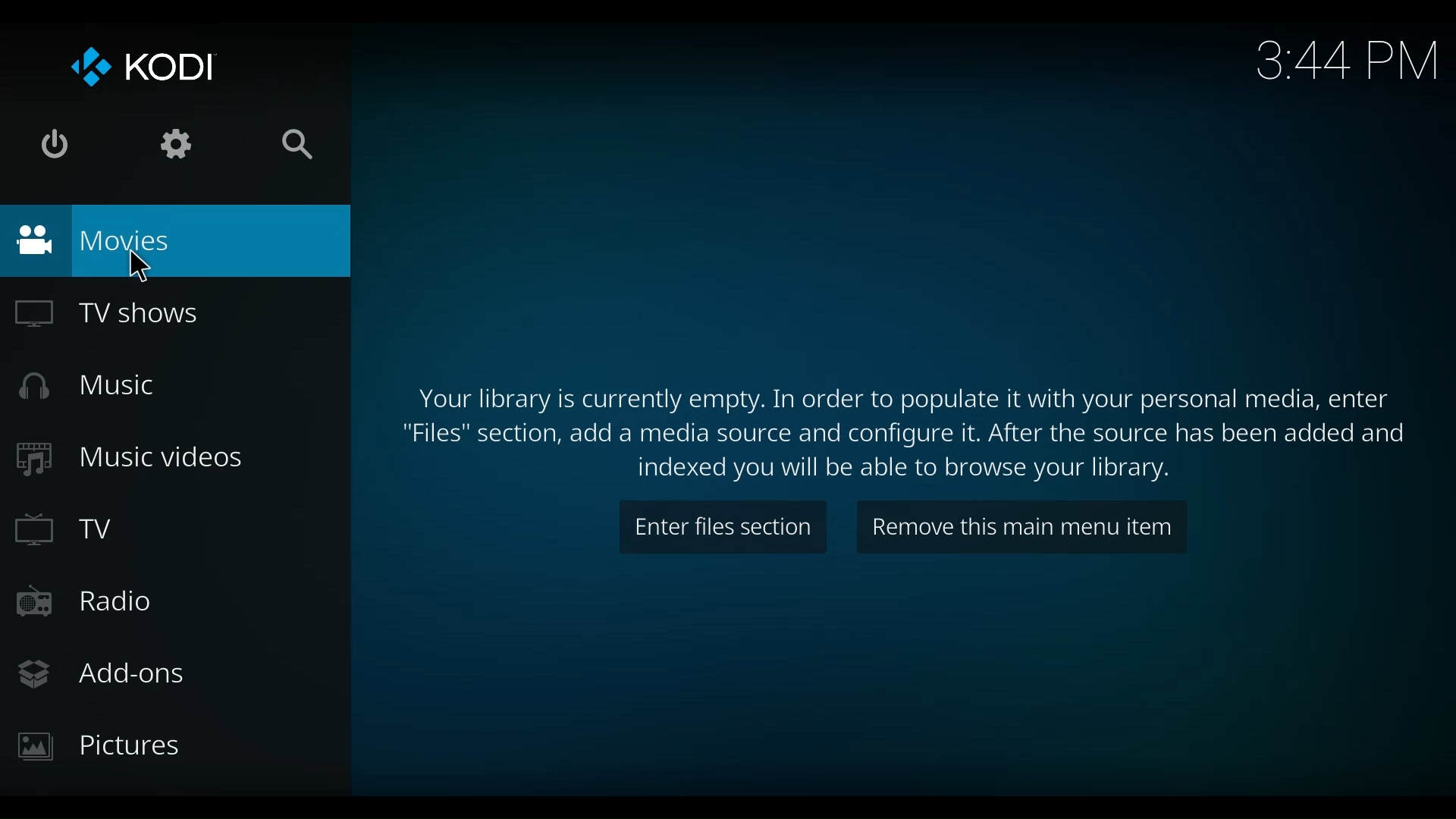 This screenshot has width=1456, height=819. What do you see at coordinates (140, 70) in the screenshot?
I see `Kodi` at bounding box center [140, 70].